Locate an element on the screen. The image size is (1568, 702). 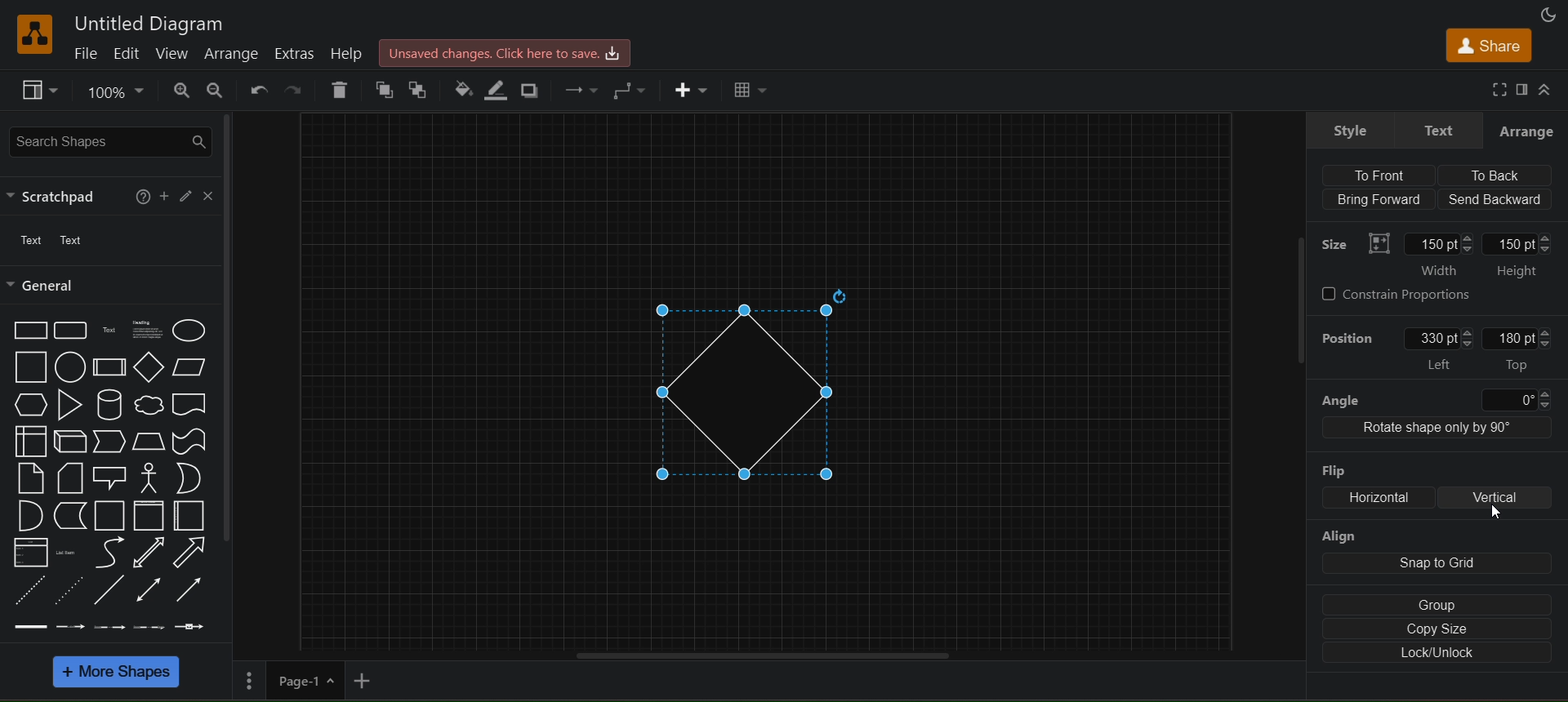
left is located at coordinates (1442, 348).